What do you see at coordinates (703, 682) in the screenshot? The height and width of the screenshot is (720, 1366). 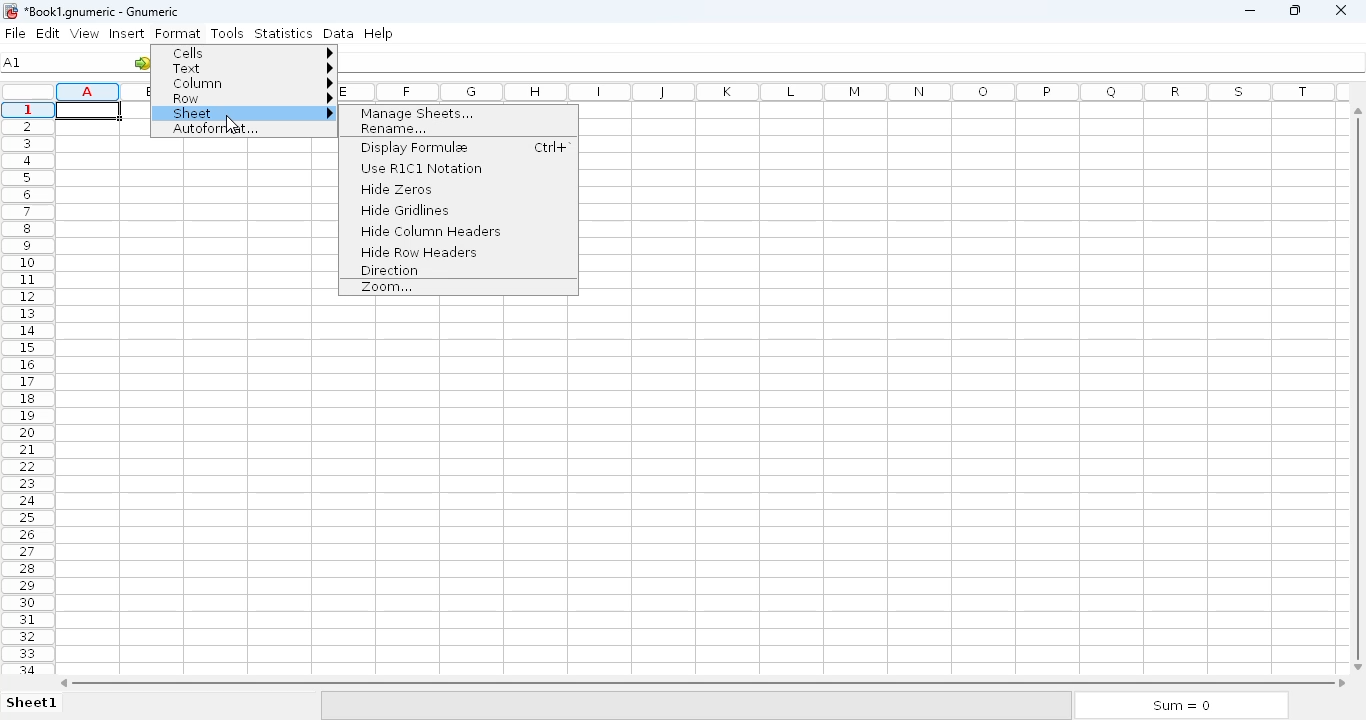 I see `horizontal scroll bar` at bounding box center [703, 682].